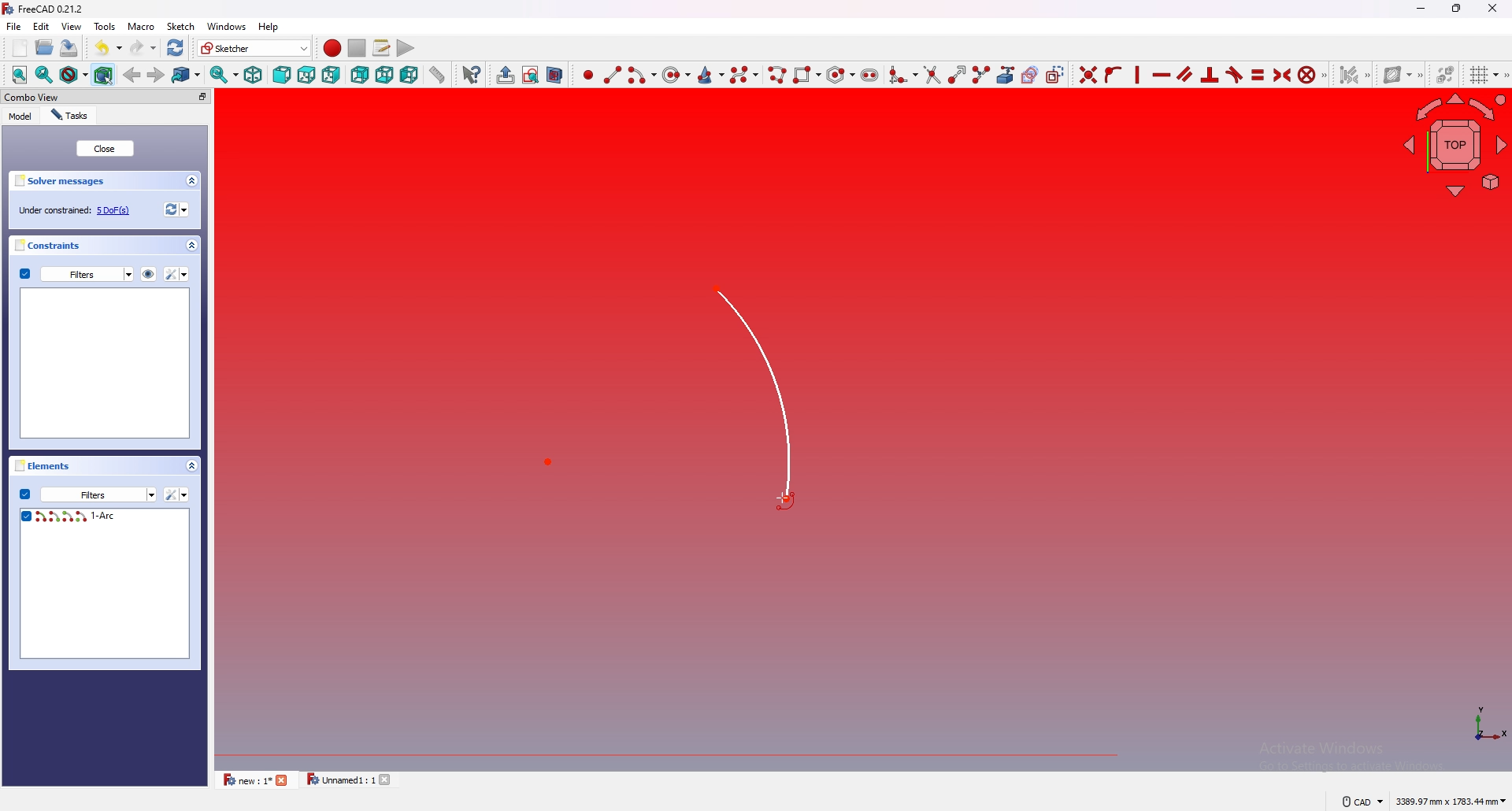 The width and height of the screenshot is (1512, 811). Describe the element at coordinates (14, 26) in the screenshot. I see `file` at that location.